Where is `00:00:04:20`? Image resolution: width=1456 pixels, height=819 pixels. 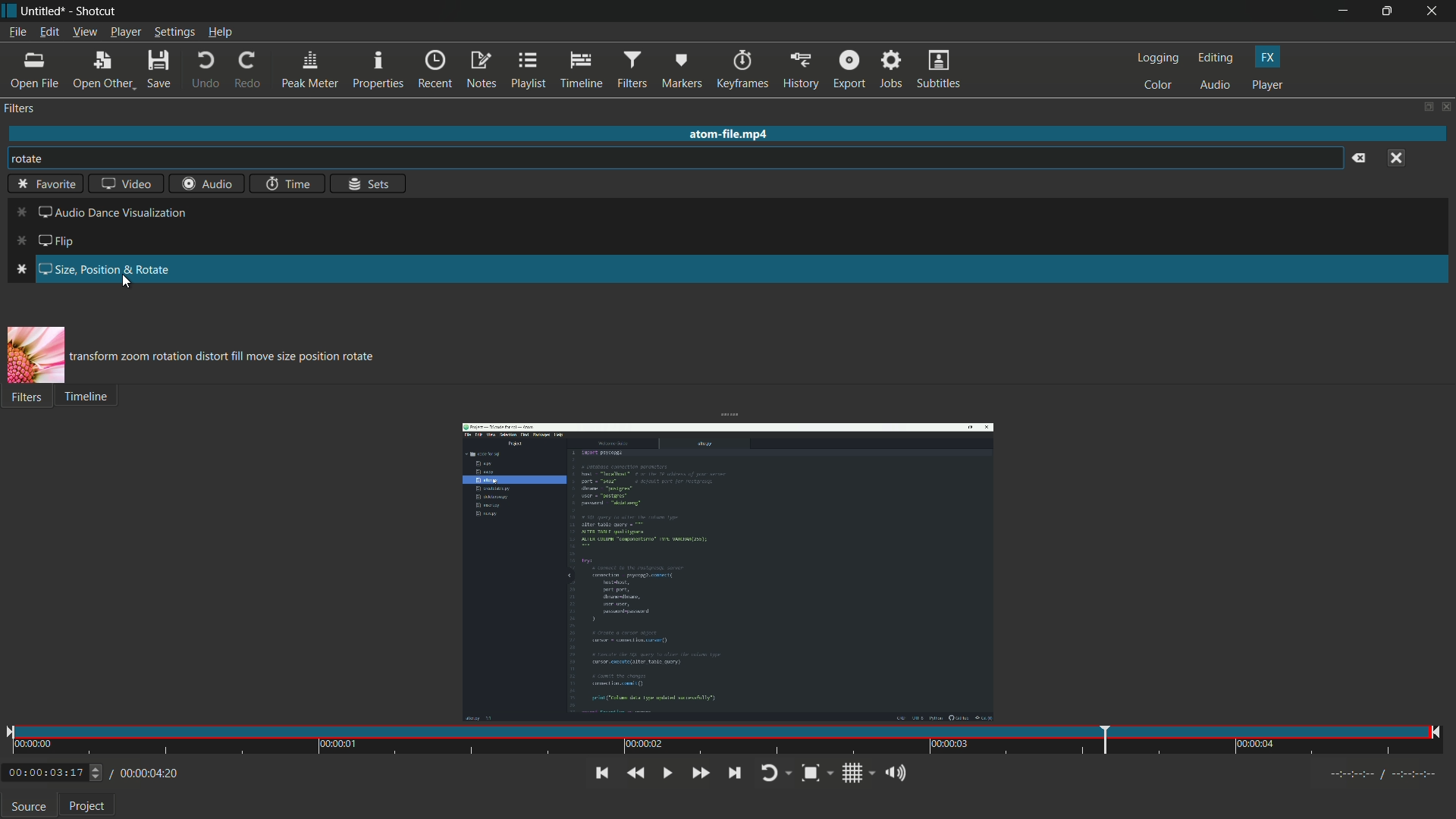
00:00:04:20 is located at coordinates (145, 774).